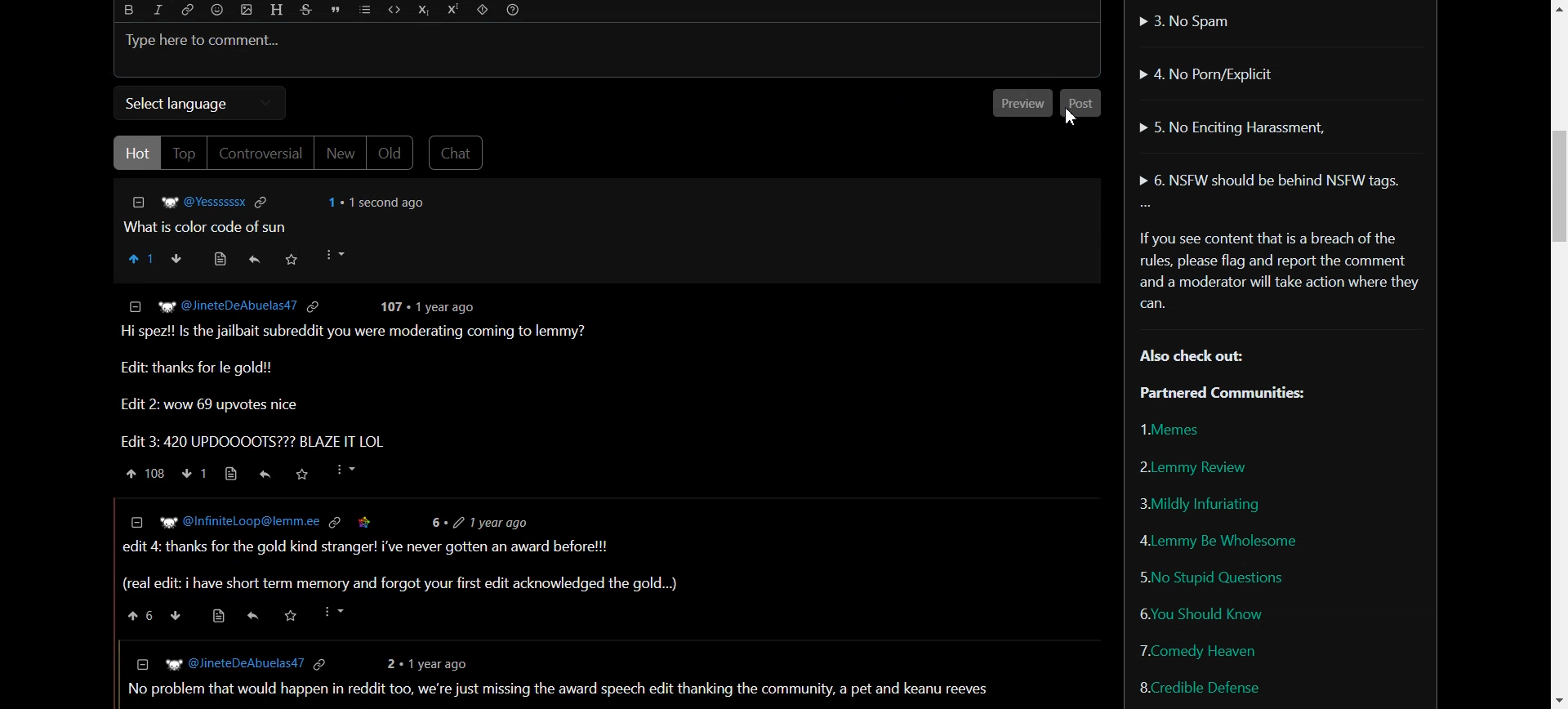 Image resolution: width=1568 pixels, height=709 pixels. What do you see at coordinates (306, 10) in the screenshot?
I see `Strikethrough` at bounding box center [306, 10].